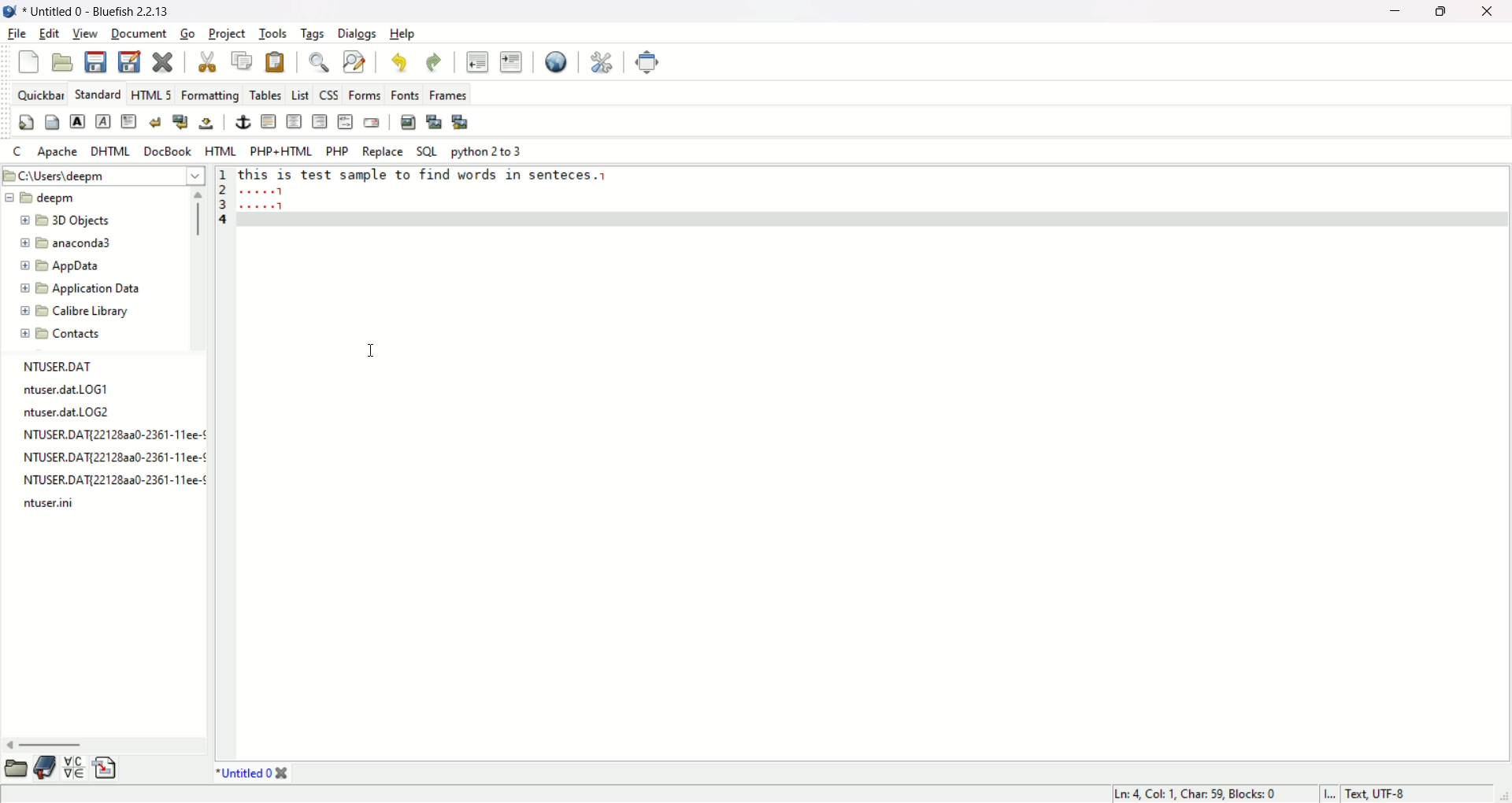 This screenshot has height=803, width=1512. What do you see at coordinates (434, 61) in the screenshot?
I see `redo` at bounding box center [434, 61].